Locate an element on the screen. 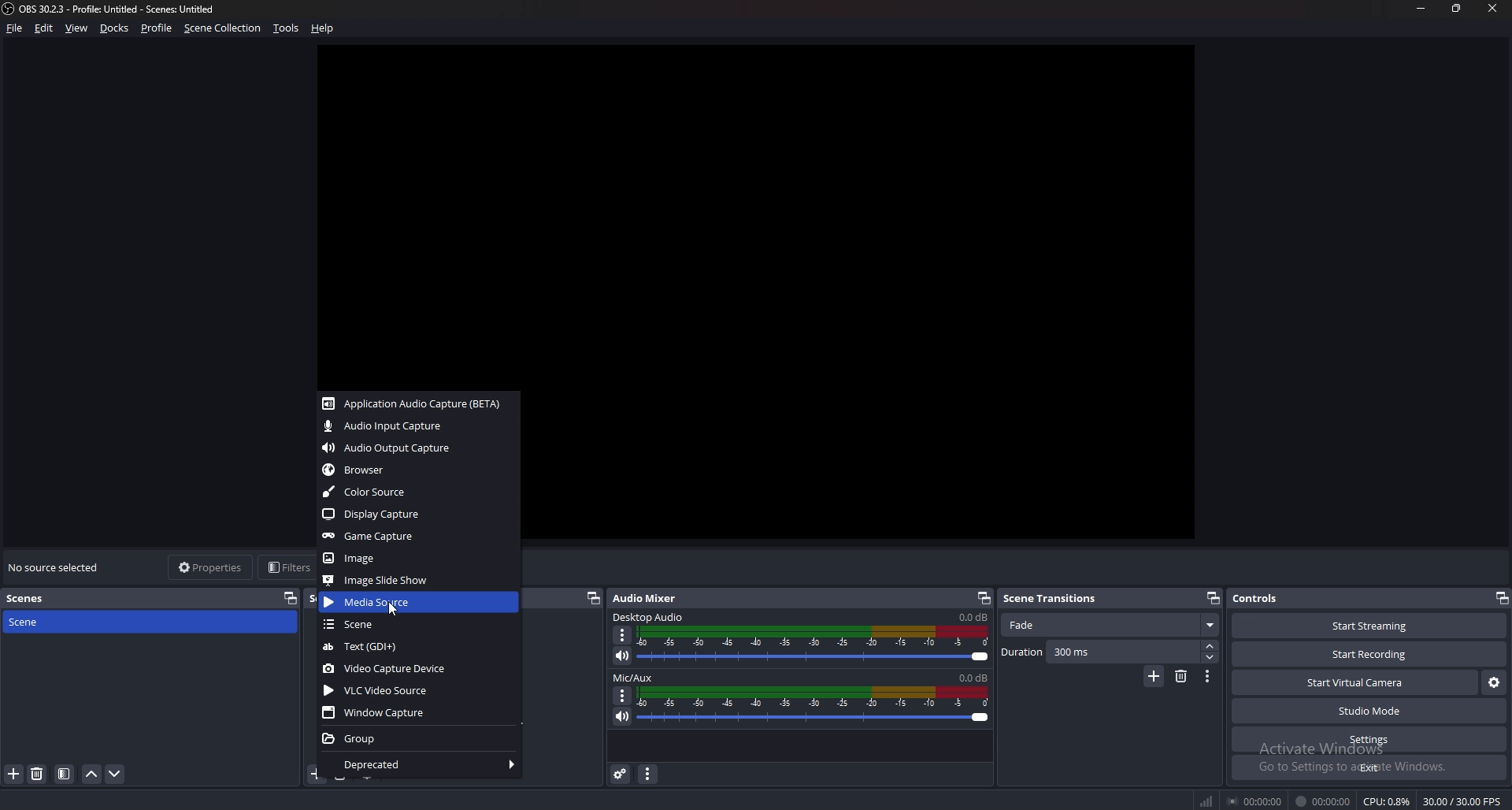 The height and width of the screenshot is (810, 1512). Filters  is located at coordinates (287, 567).